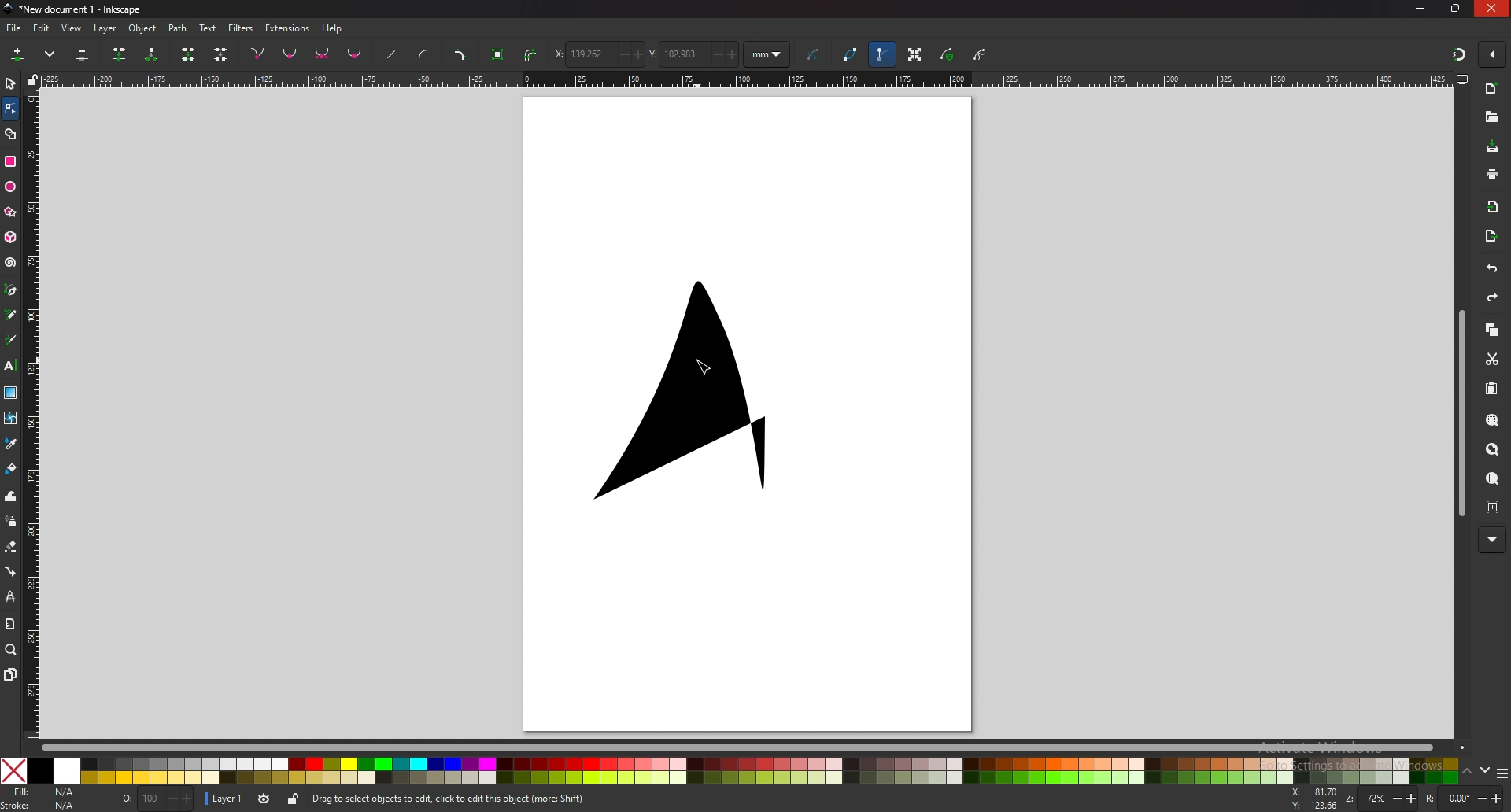 The image size is (1511, 812). I want to click on filters, so click(241, 28).